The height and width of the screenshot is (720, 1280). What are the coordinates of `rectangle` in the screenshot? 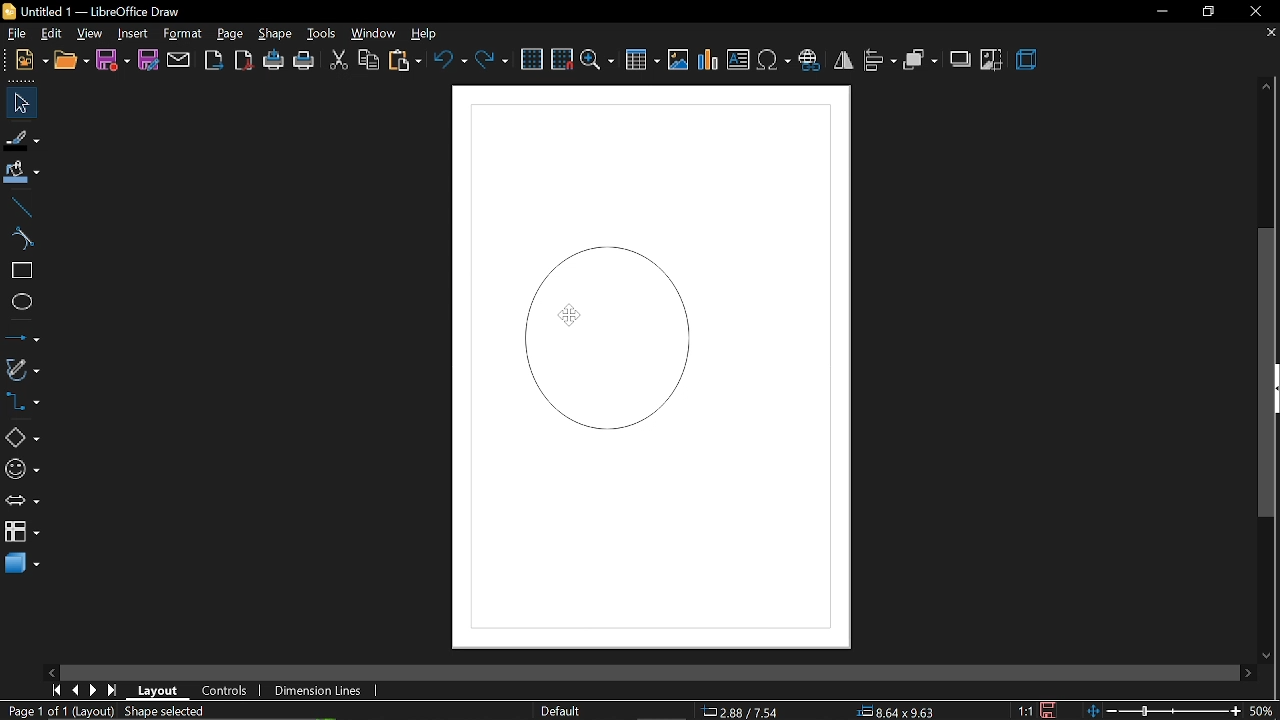 It's located at (21, 272).